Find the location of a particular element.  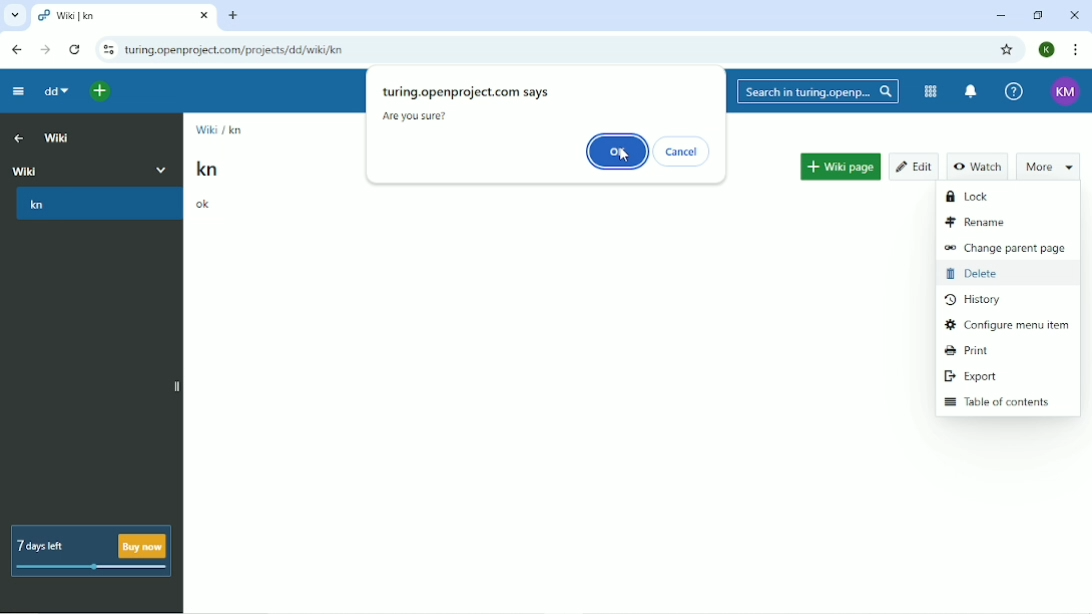

ok is located at coordinates (203, 205).